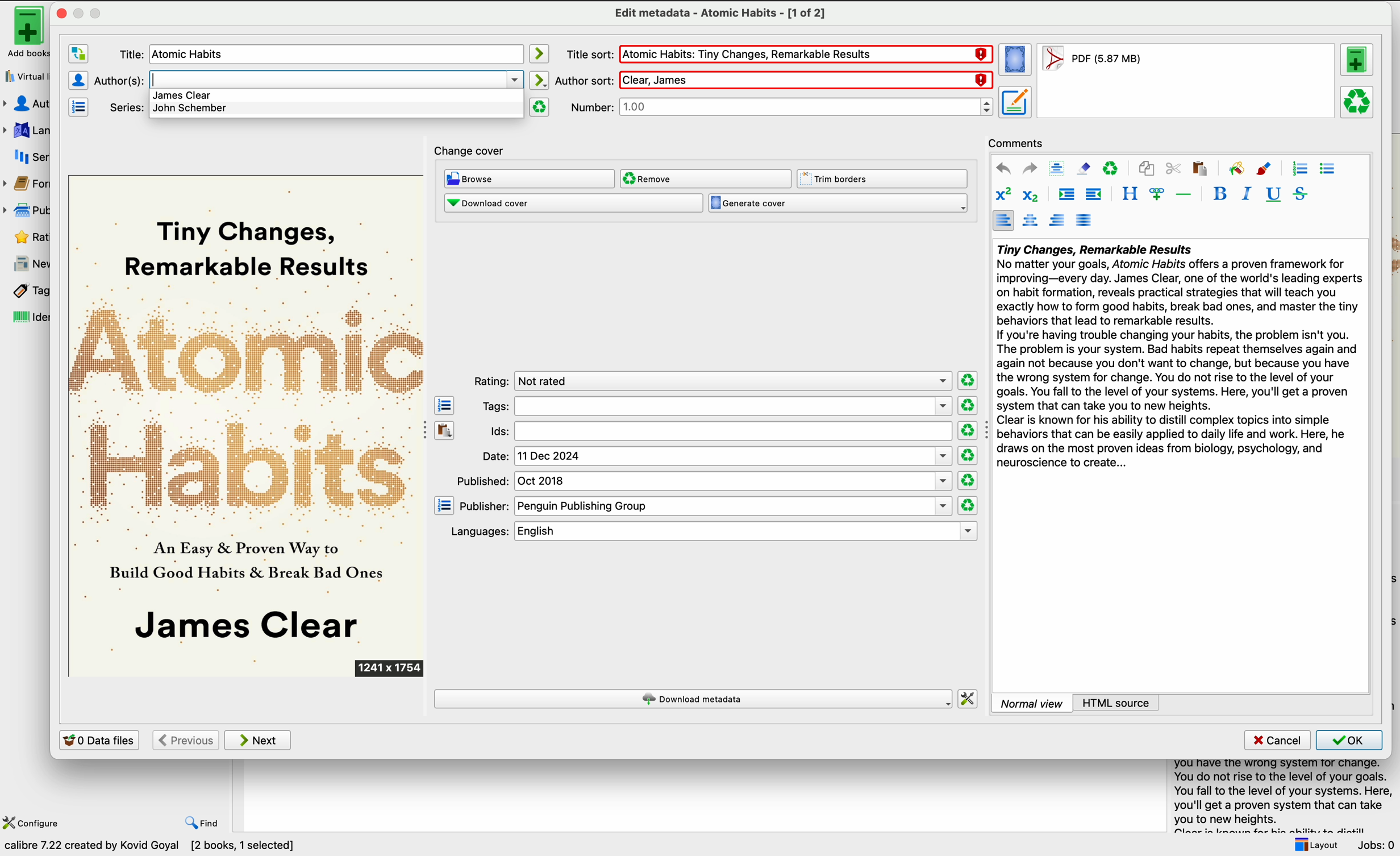 The image size is (1400, 856). Describe the element at coordinates (715, 406) in the screenshot. I see `tags` at that location.